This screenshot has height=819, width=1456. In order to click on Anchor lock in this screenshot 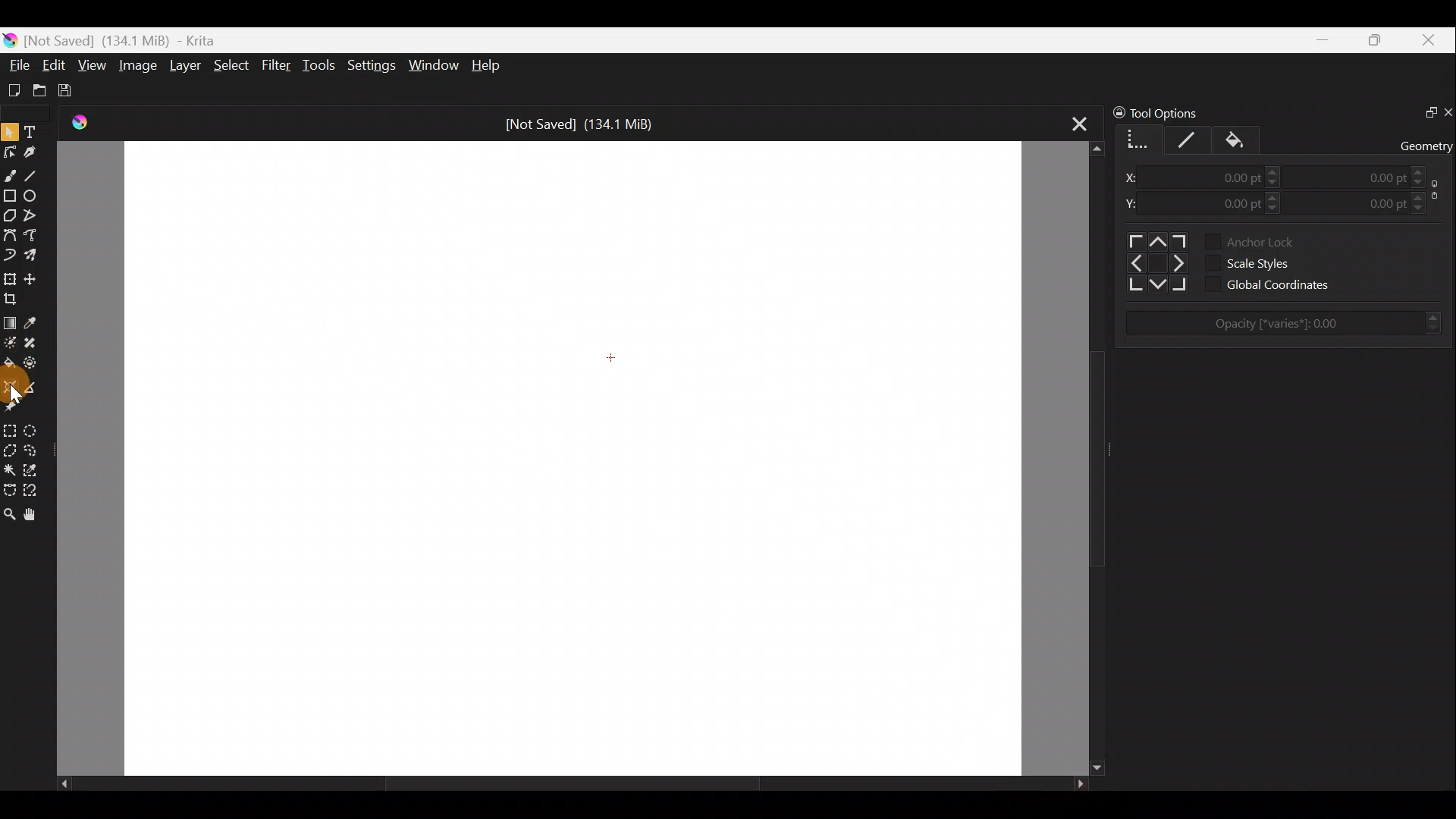, I will do `click(1247, 240)`.